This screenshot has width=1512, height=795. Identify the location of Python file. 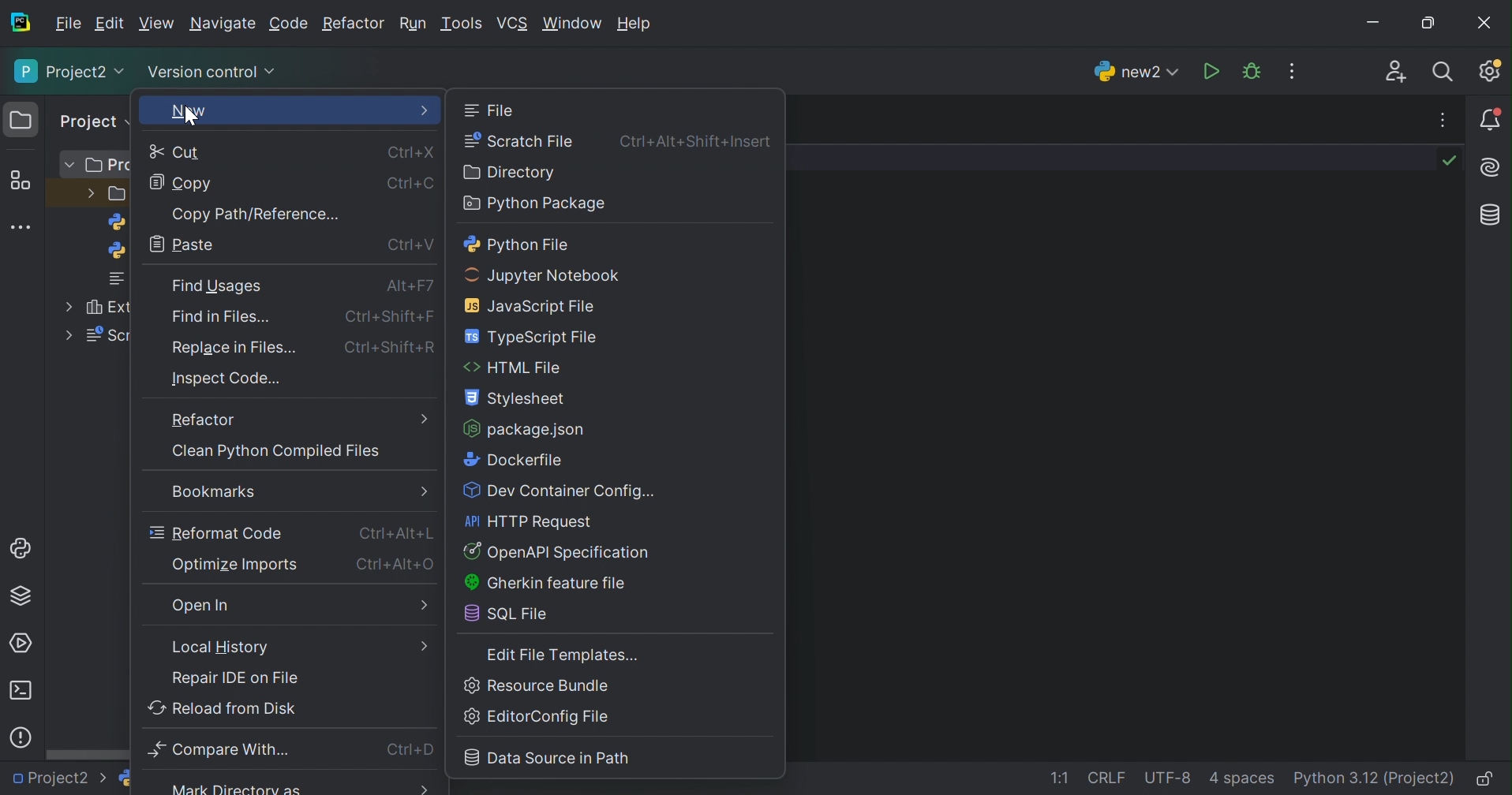
(518, 244).